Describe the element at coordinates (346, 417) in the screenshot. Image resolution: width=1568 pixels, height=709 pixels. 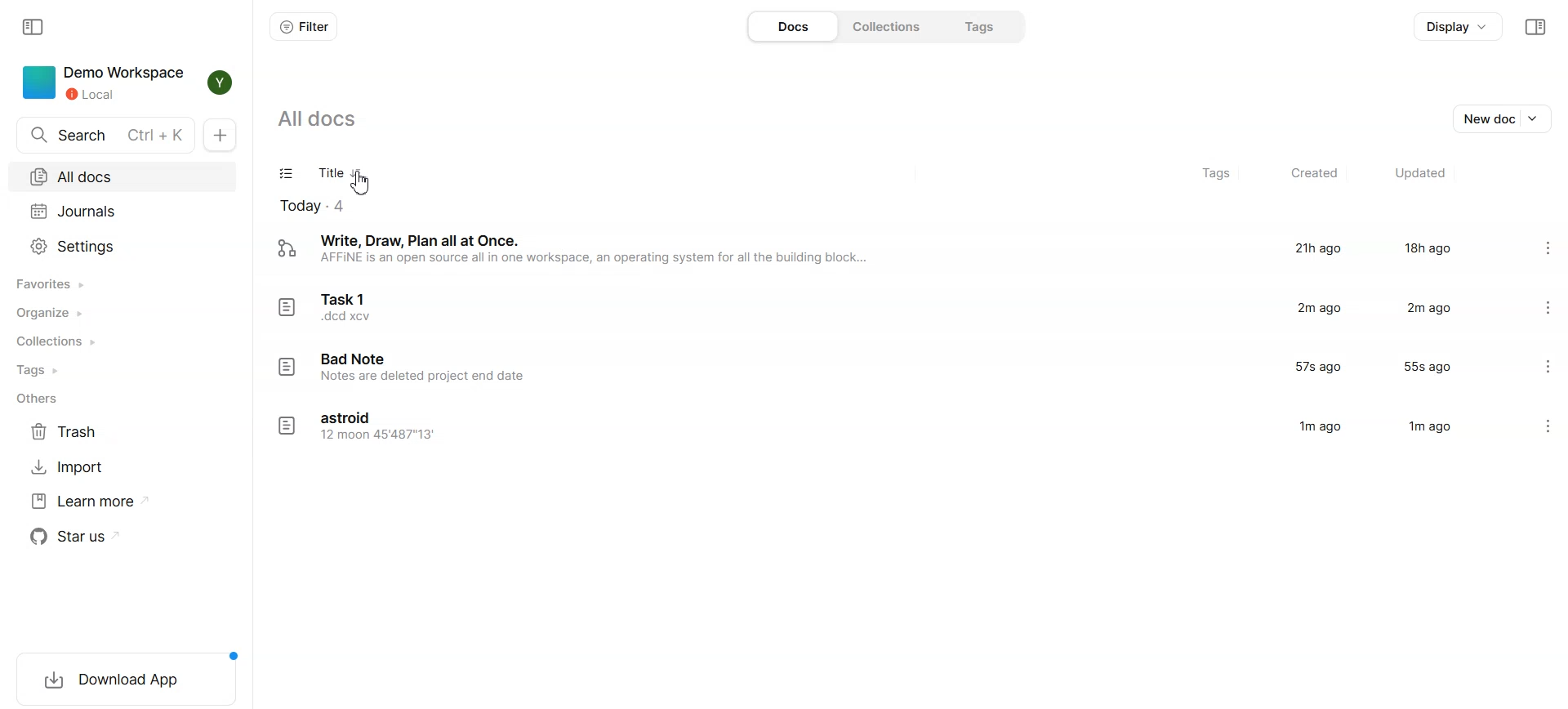
I see `astroid` at that location.